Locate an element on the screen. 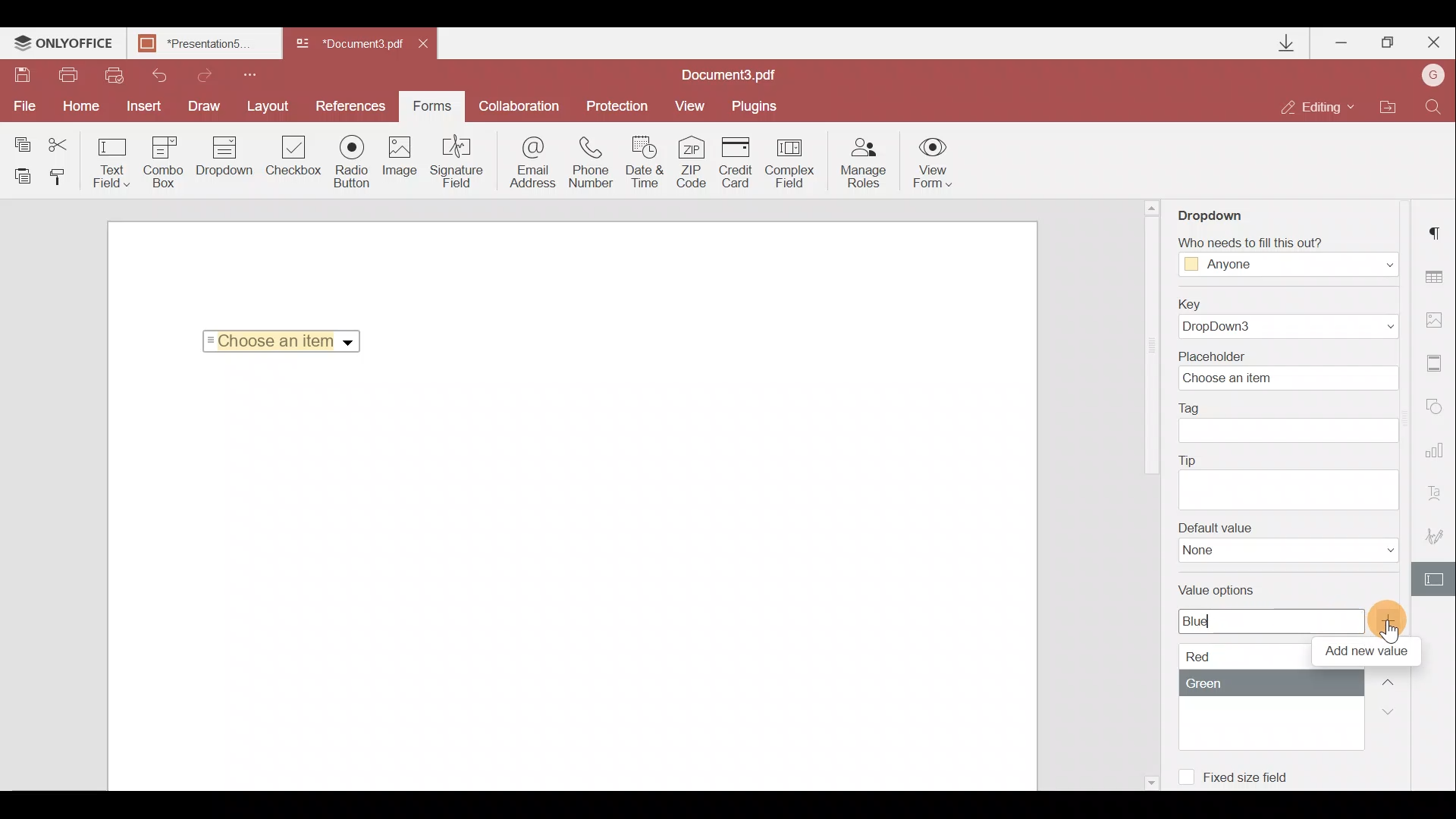 The width and height of the screenshot is (1456, 819). Minimize is located at coordinates (1339, 42).